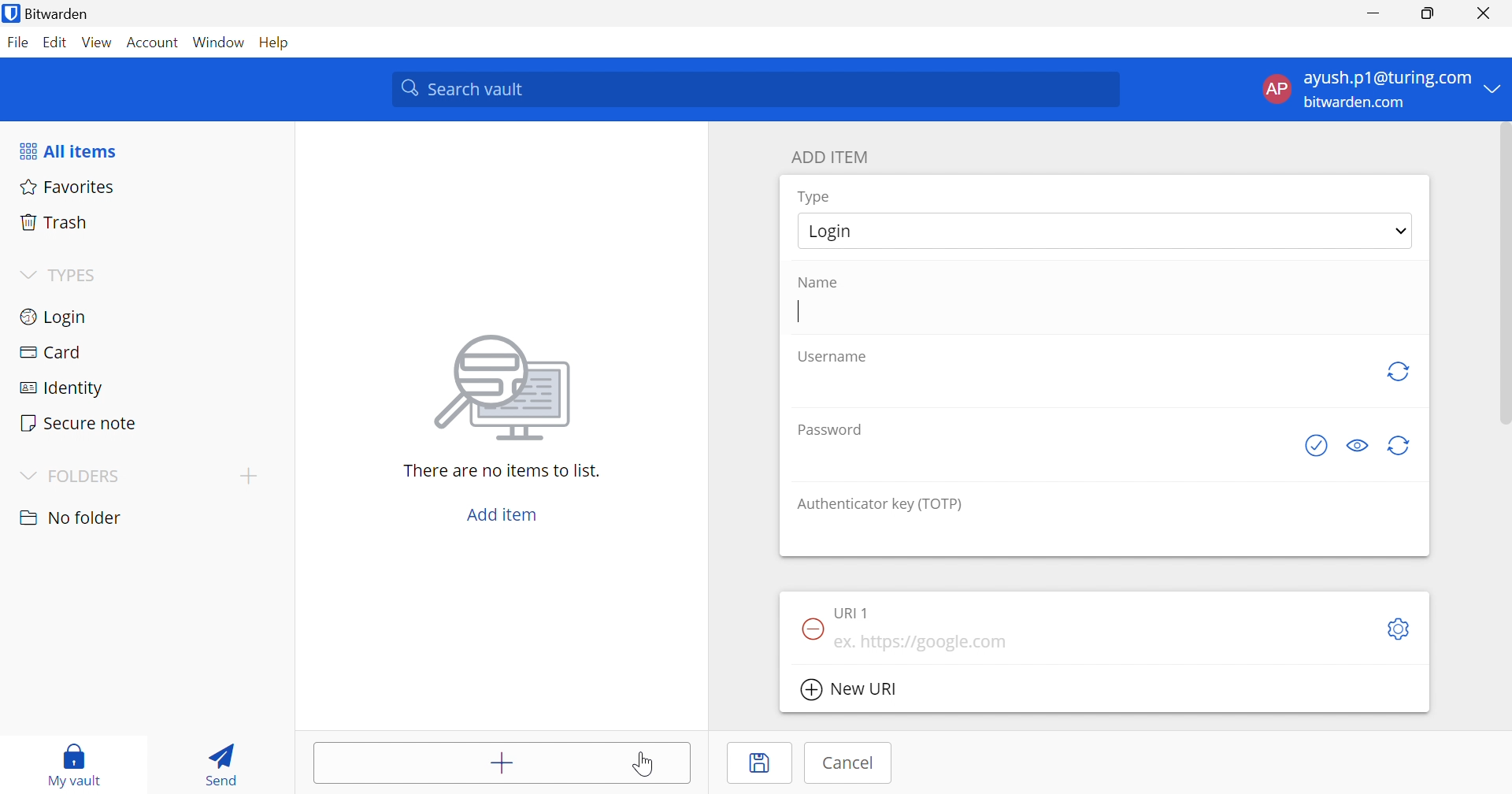 The height and width of the screenshot is (794, 1512). Describe the element at coordinates (503, 391) in the screenshot. I see `image` at that location.